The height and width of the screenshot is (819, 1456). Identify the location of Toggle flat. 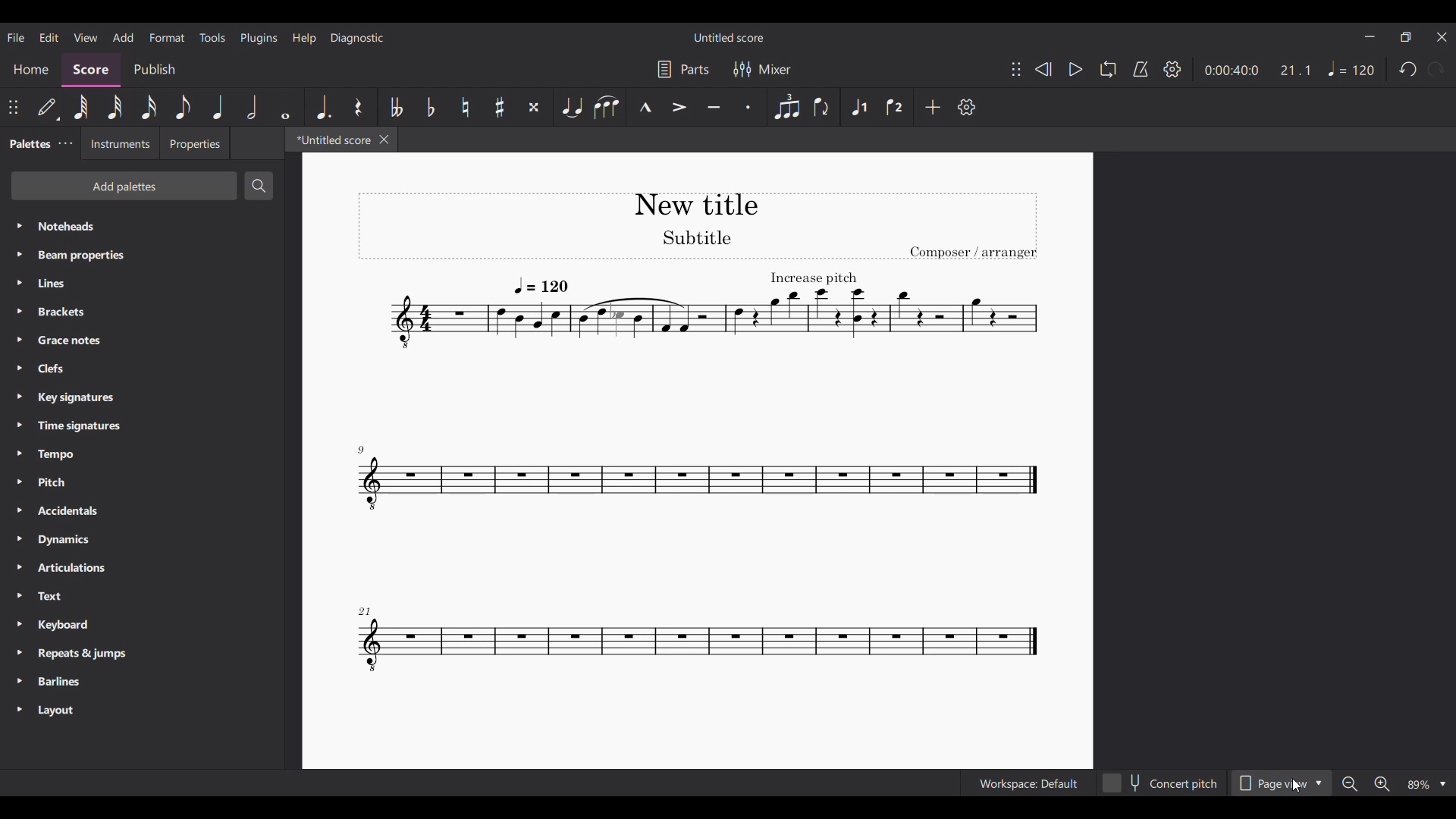
(431, 107).